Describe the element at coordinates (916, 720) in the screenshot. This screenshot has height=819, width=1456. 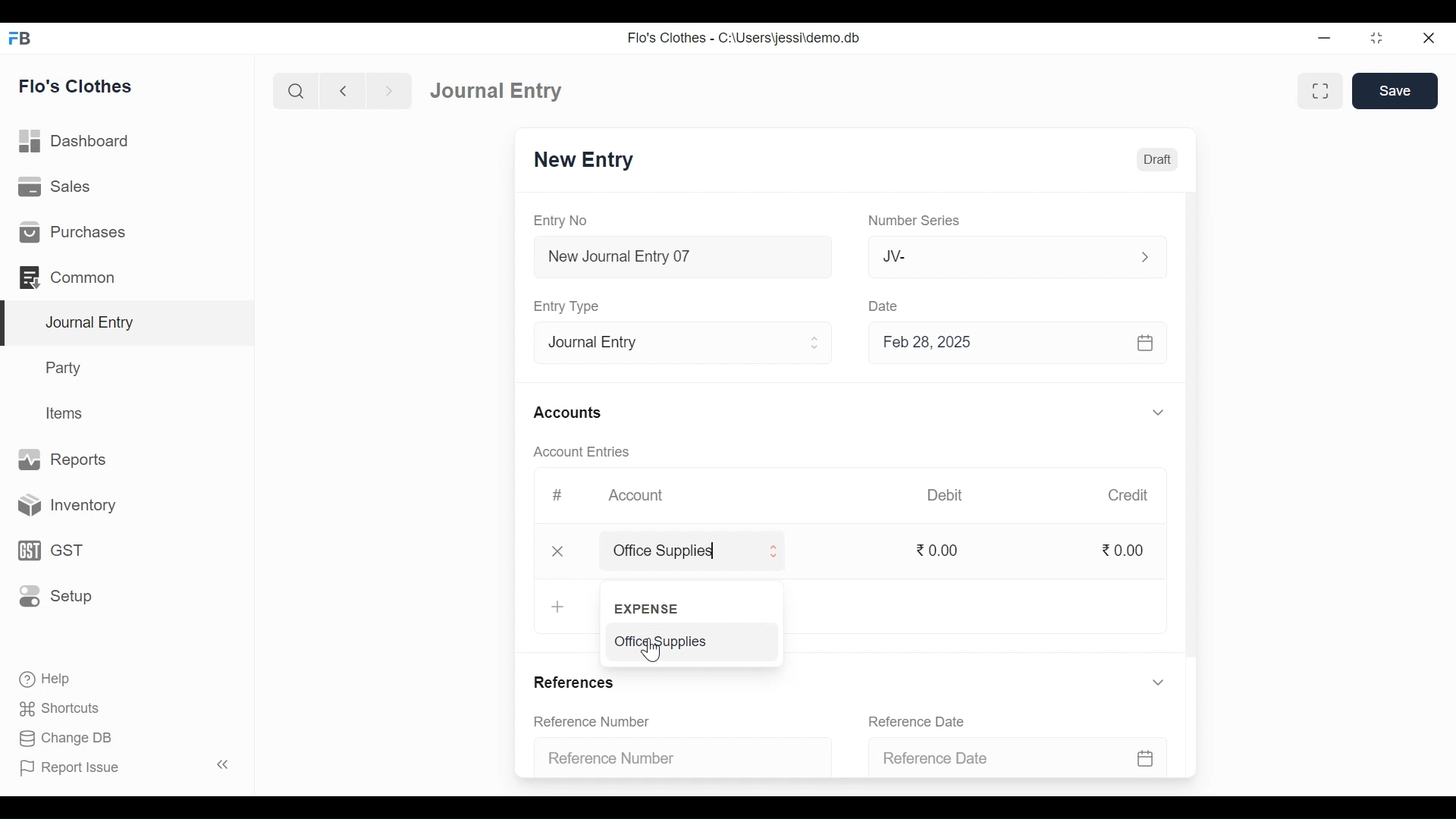
I see `Reference Date` at that location.